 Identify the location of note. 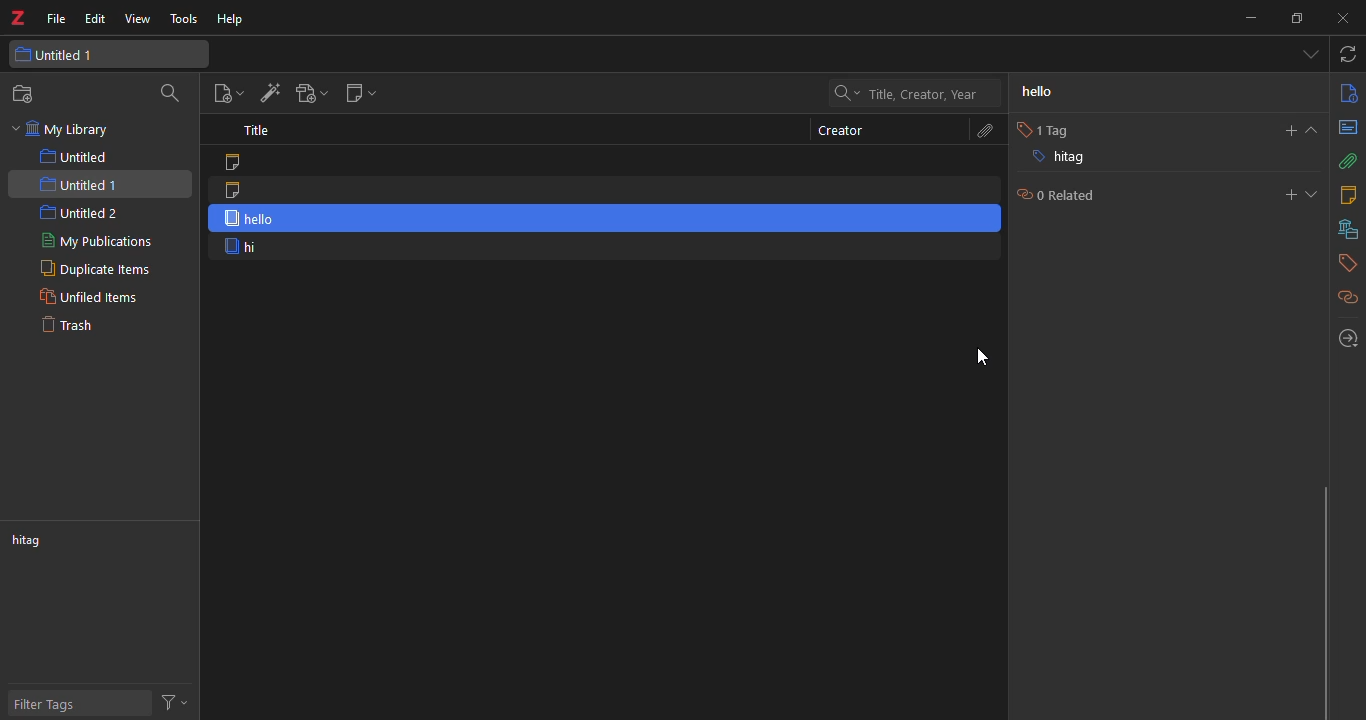
(241, 163).